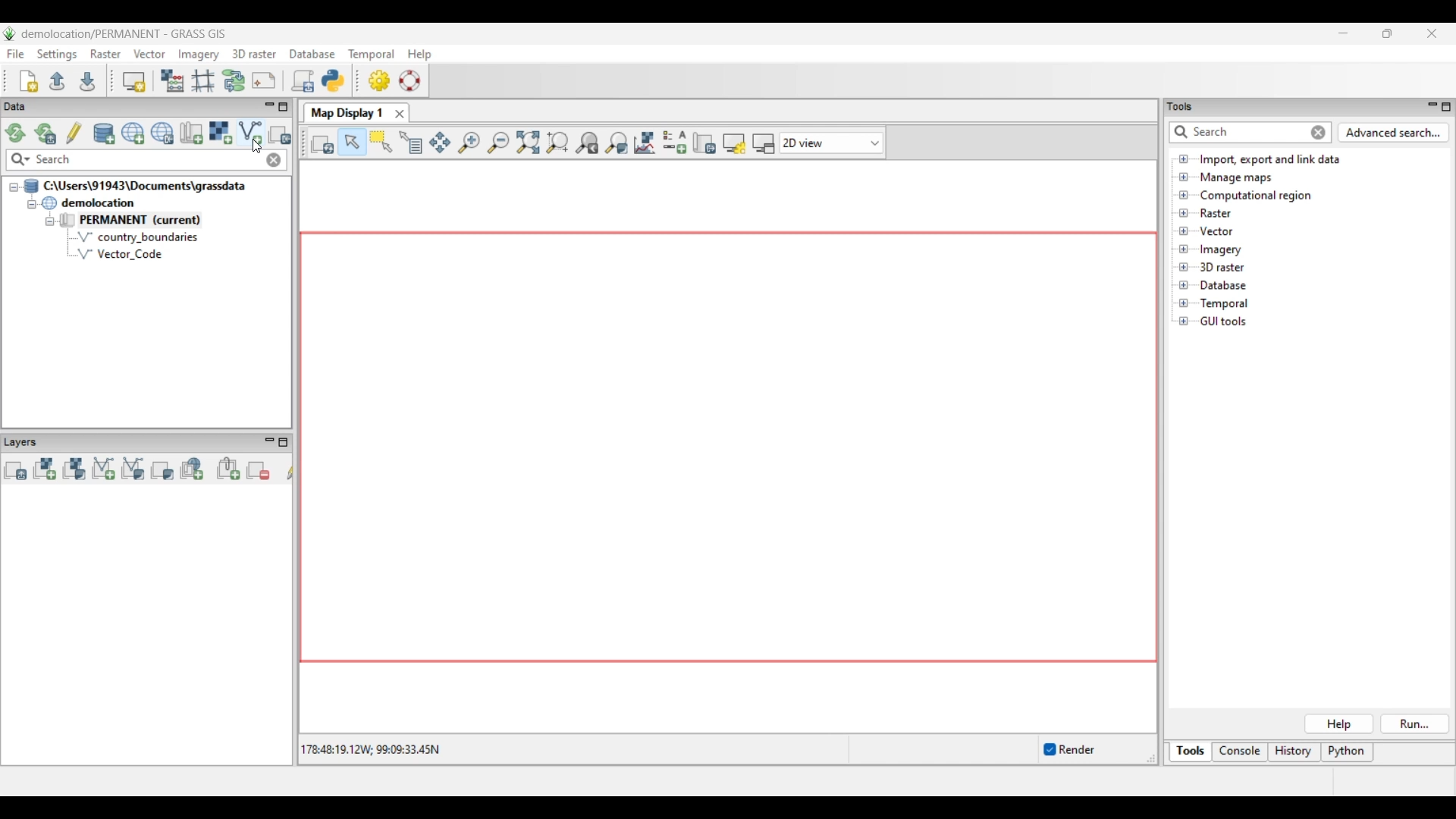 The height and width of the screenshot is (819, 1456). What do you see at coordinates (439, 143) in the screenshot?
I see `Pan` at bounding box center [439, 143].